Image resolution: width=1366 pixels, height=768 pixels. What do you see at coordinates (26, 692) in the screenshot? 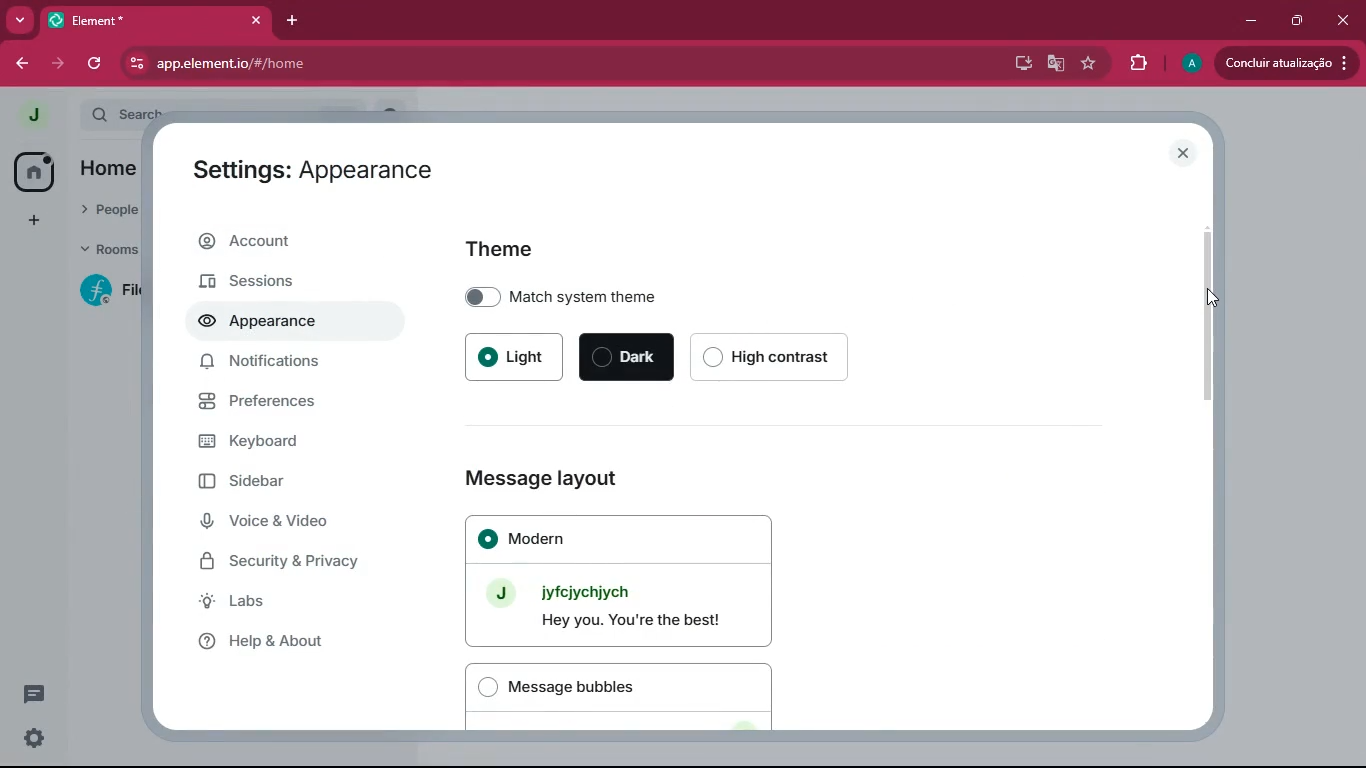
I see `conversations` at bounding box center [26, 692].